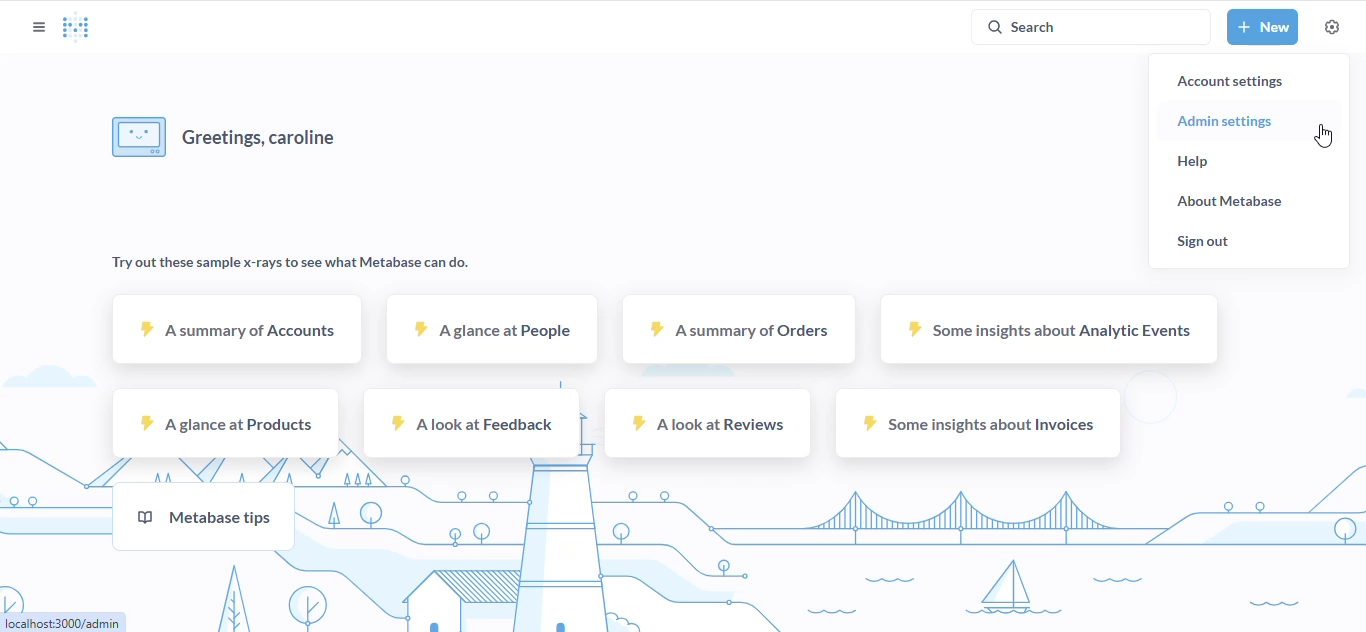  Describe the element at coordinates (62, 622) in the screenshot. I see `link` at that location.